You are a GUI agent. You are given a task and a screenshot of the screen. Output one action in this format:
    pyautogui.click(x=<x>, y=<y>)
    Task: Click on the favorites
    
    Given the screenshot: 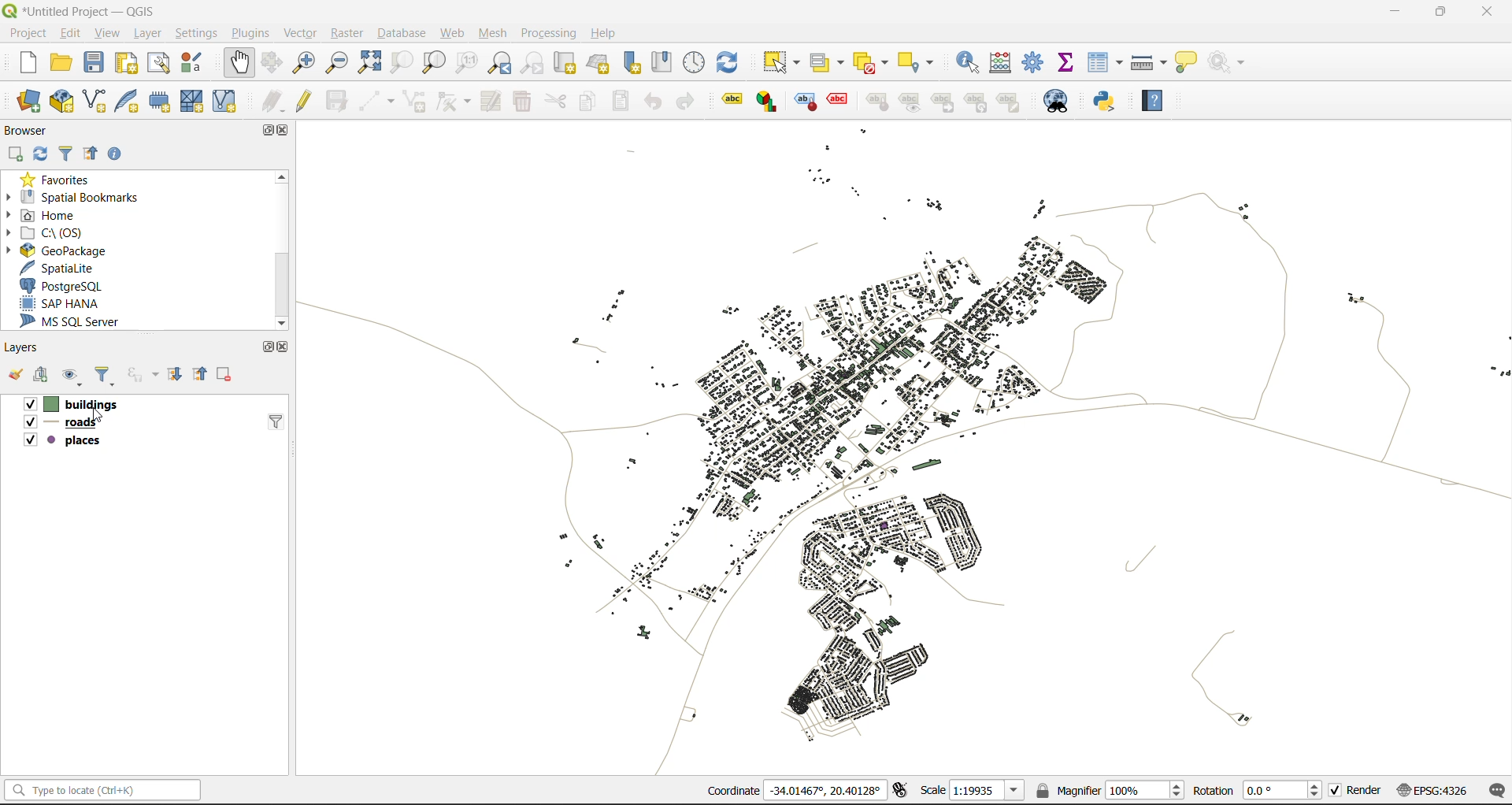 What is the action you would take?
    pyautogui.click(x=65, y=180)
    